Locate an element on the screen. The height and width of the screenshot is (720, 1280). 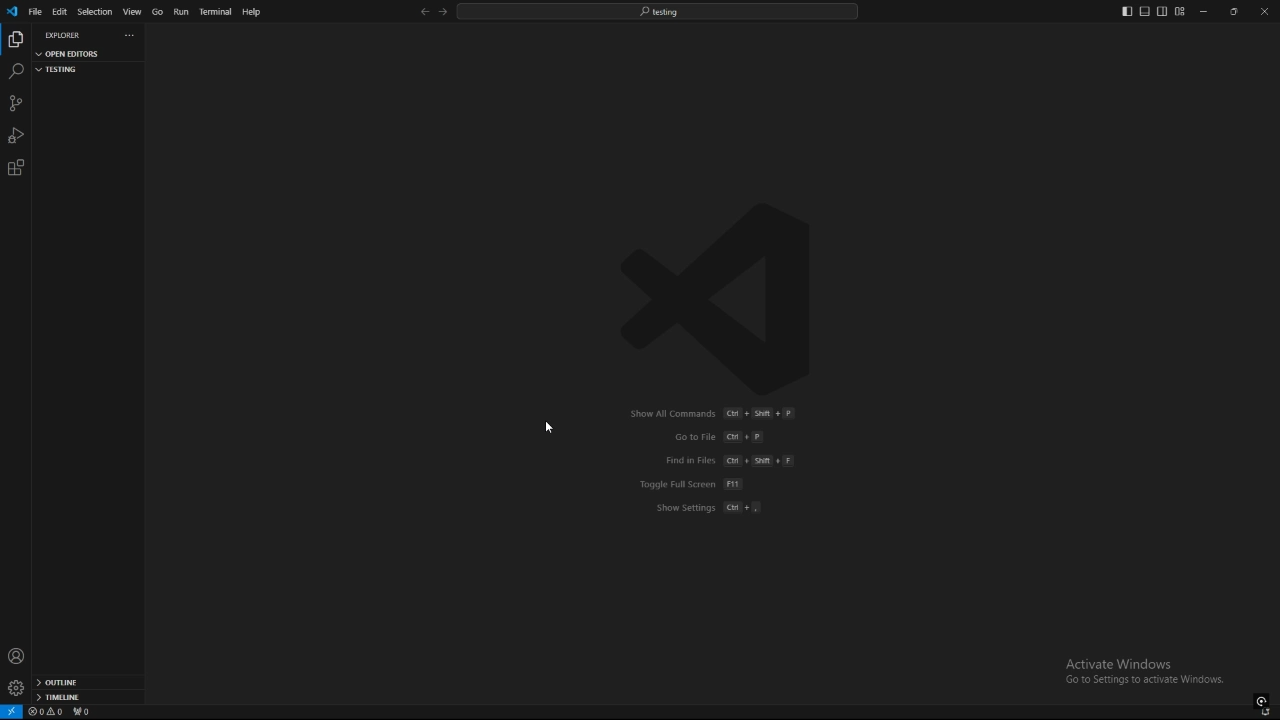
vscode logo is located at coordinates (711, 296).